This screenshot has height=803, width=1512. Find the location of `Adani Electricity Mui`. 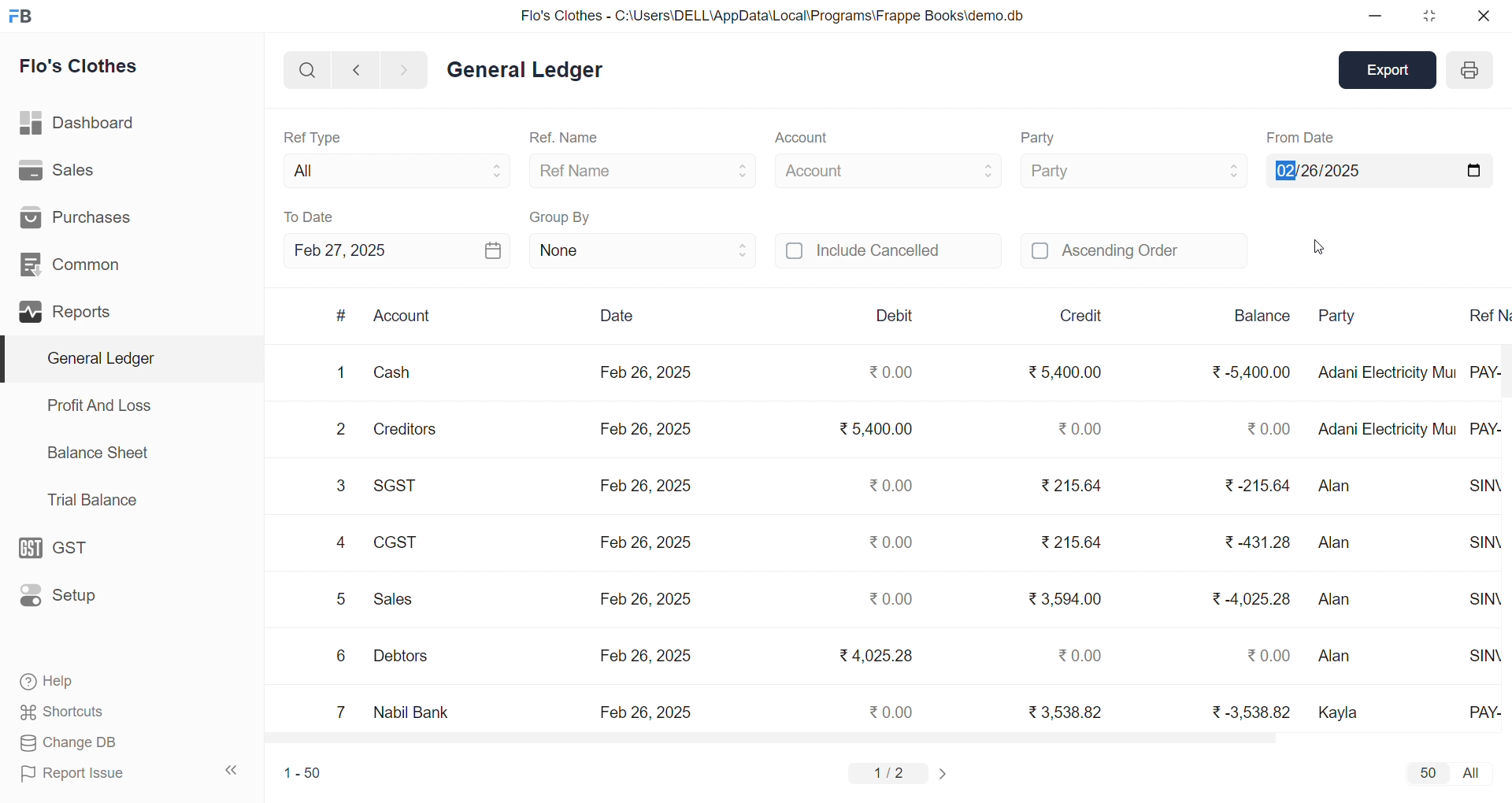

Adani Electricity Mui is located at coordinates (1388, 428).